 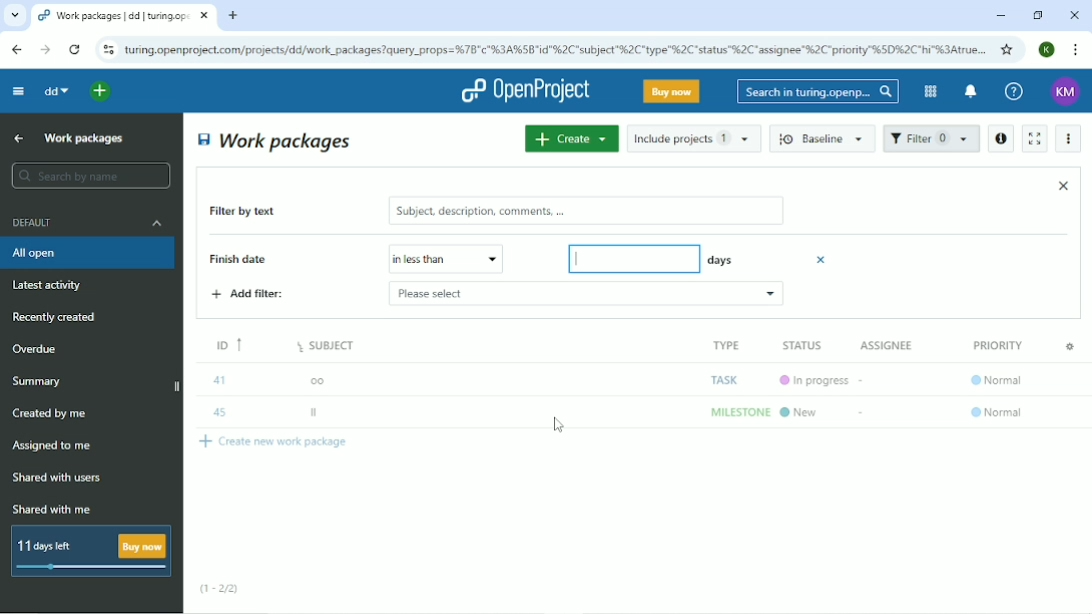 I want to click on Work packages, so click(x=85, y=137).